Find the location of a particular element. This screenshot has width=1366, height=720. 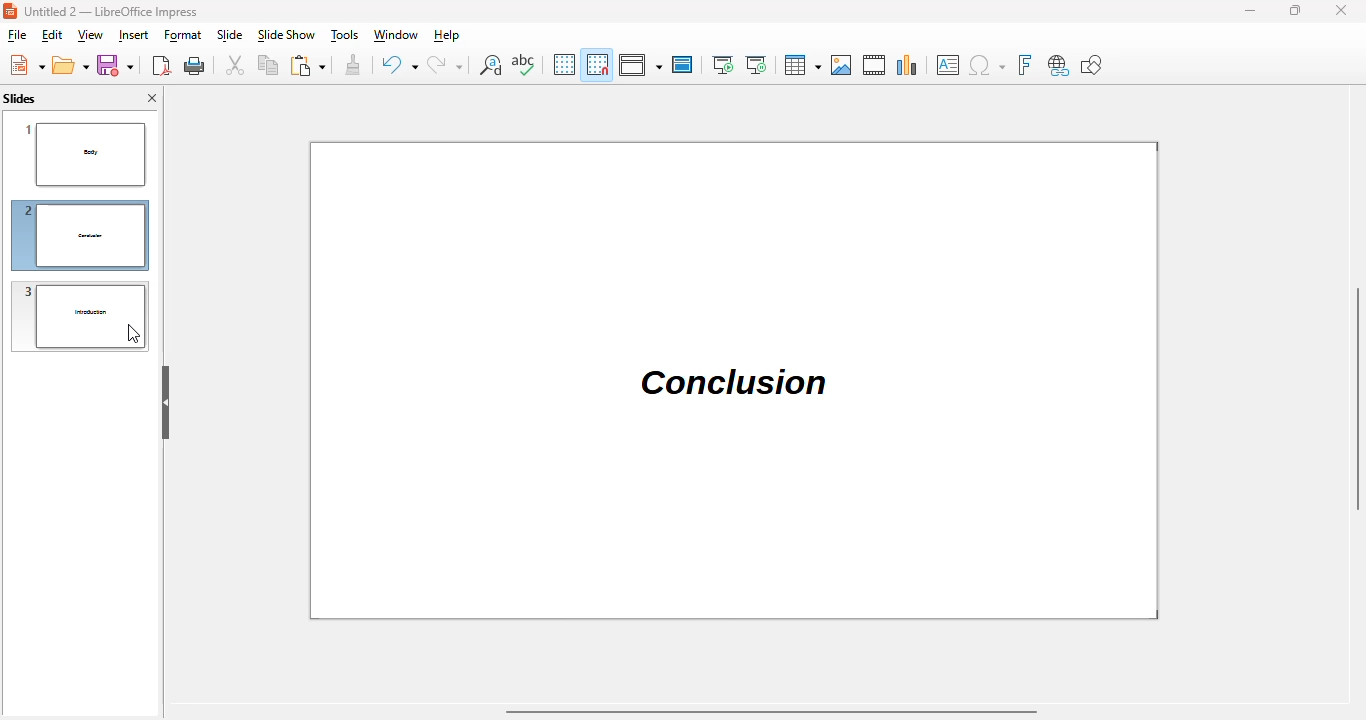

find and replace is located at coordinates (489, 64).